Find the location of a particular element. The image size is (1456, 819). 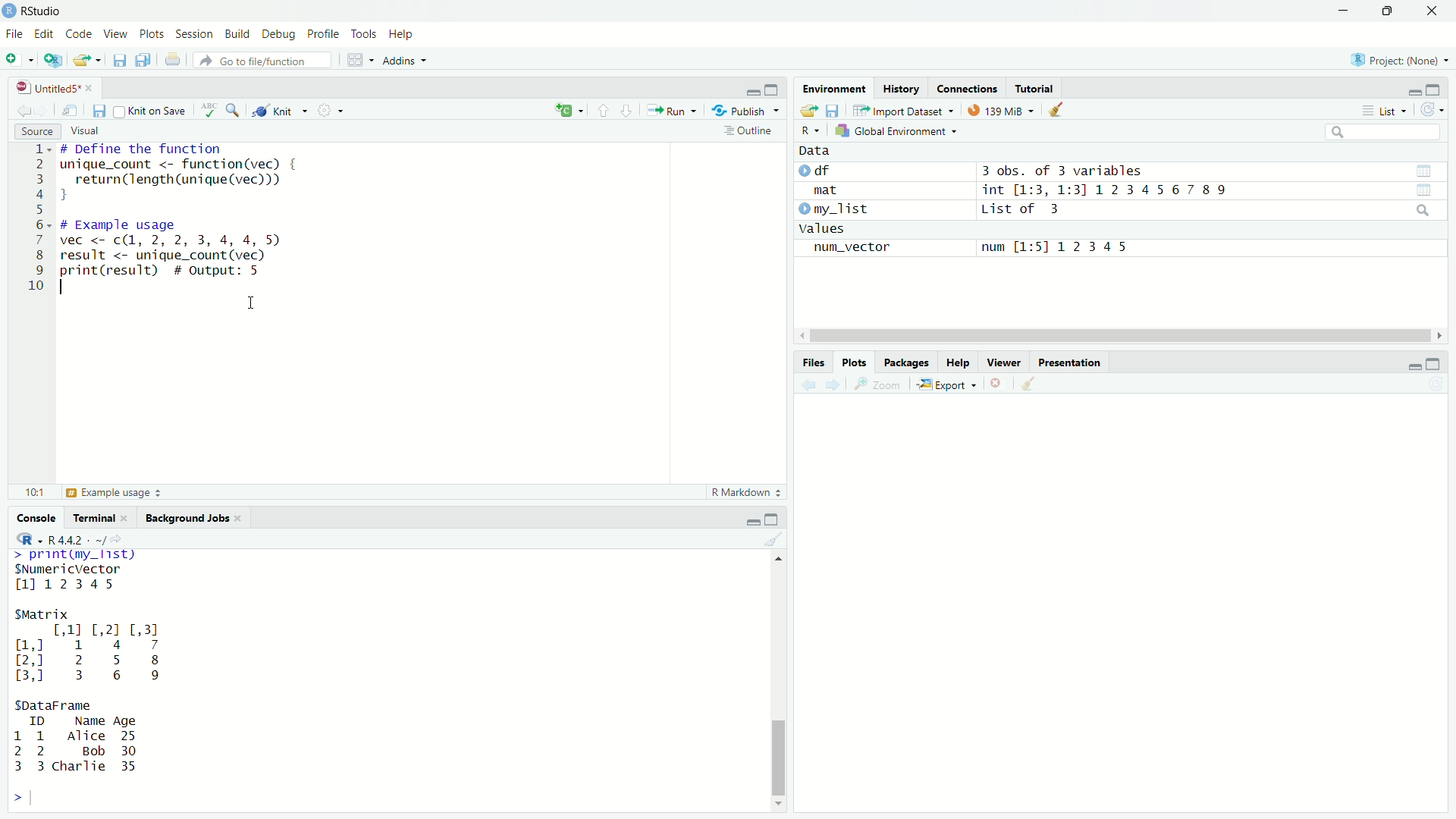

print current file is located at coordinates (172, 61).